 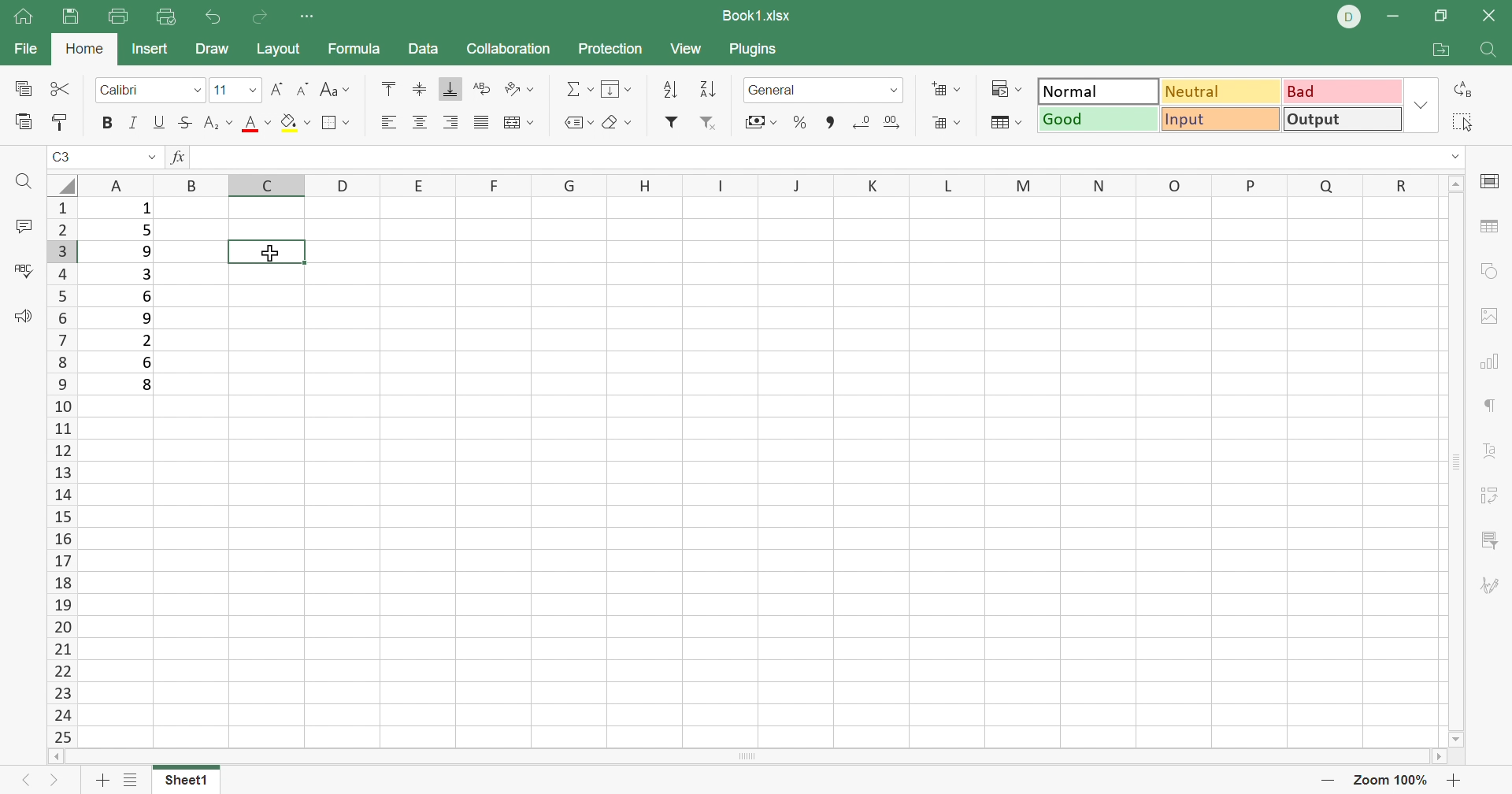 What do you see at coordinates (146, 276) in the screenshot?
I see `3` at bounding box center [146, 276].